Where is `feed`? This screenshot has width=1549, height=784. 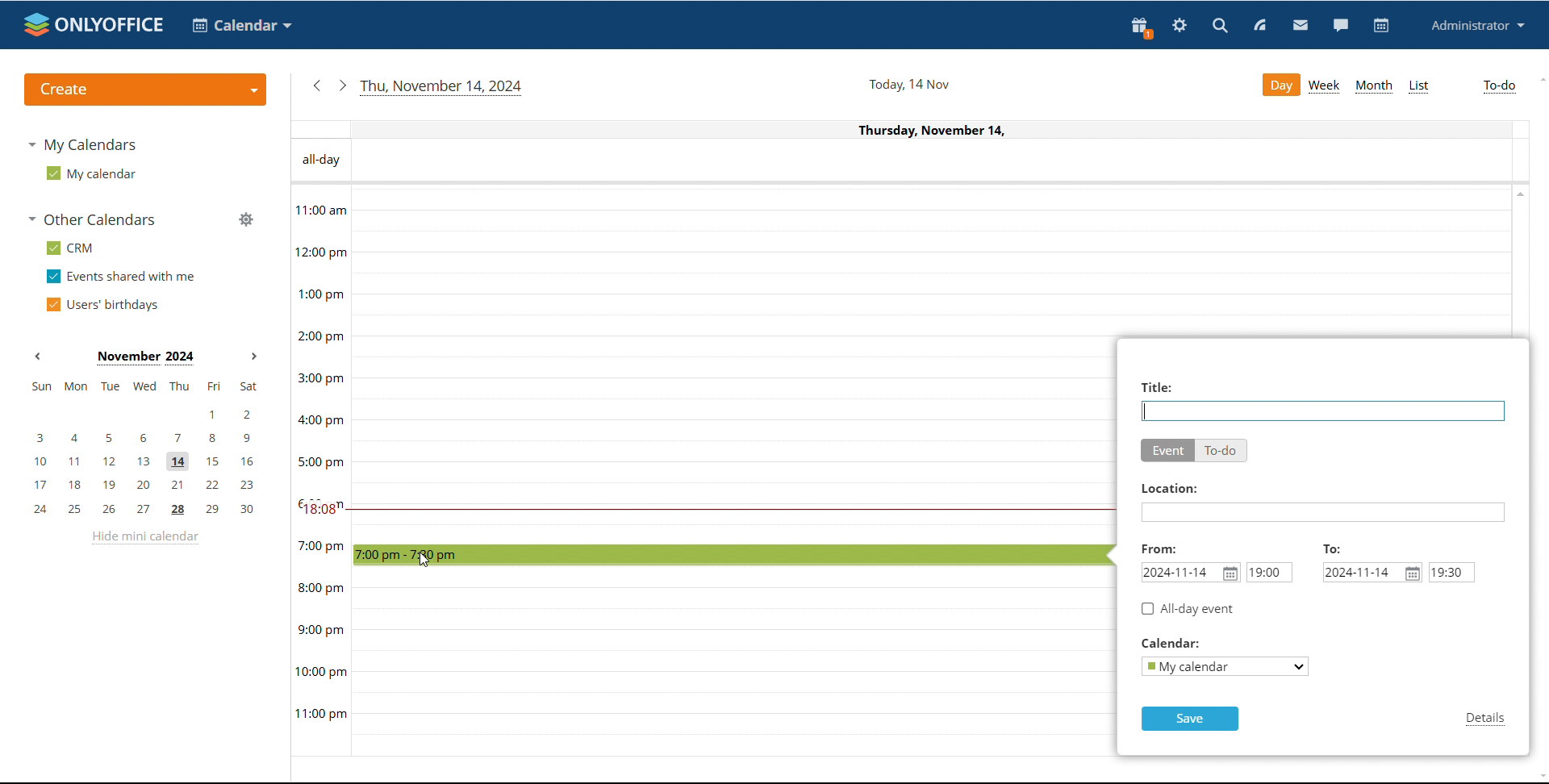 feed is located at coordinates (1262, 25).